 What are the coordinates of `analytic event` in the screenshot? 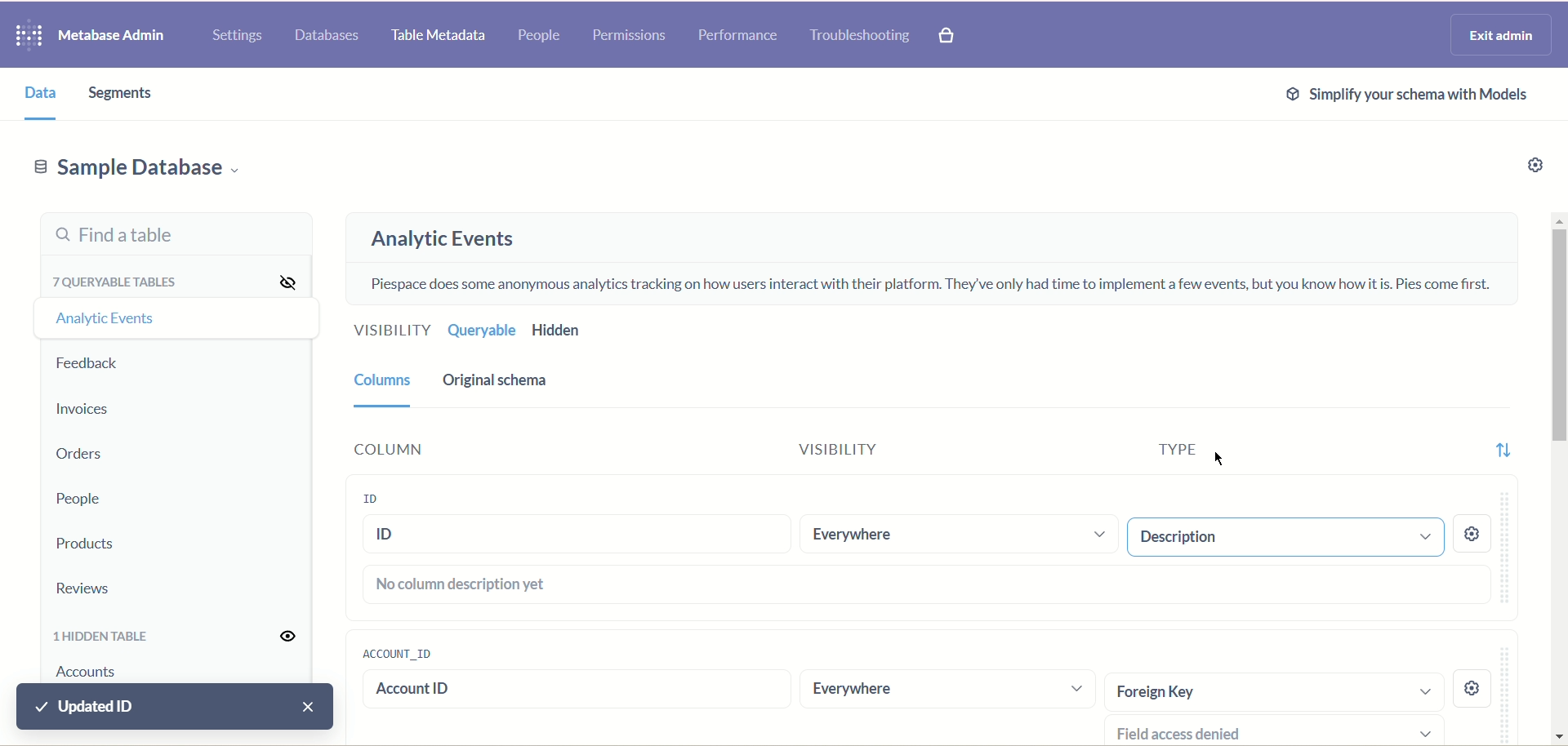 It's located at (102, 317).